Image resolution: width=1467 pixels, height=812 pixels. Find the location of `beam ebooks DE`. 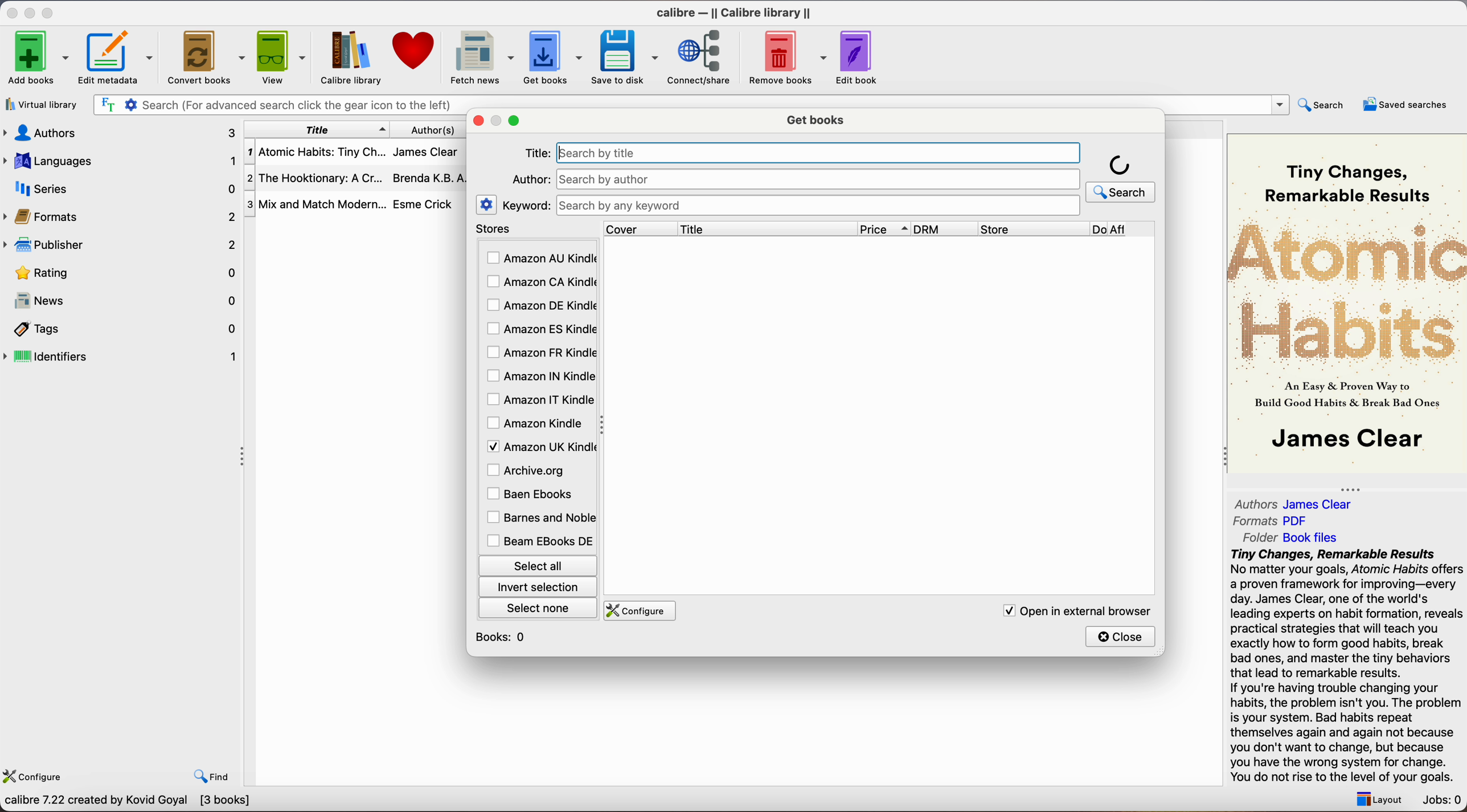

beam ebooks DE is located at coordinates (539, 541).